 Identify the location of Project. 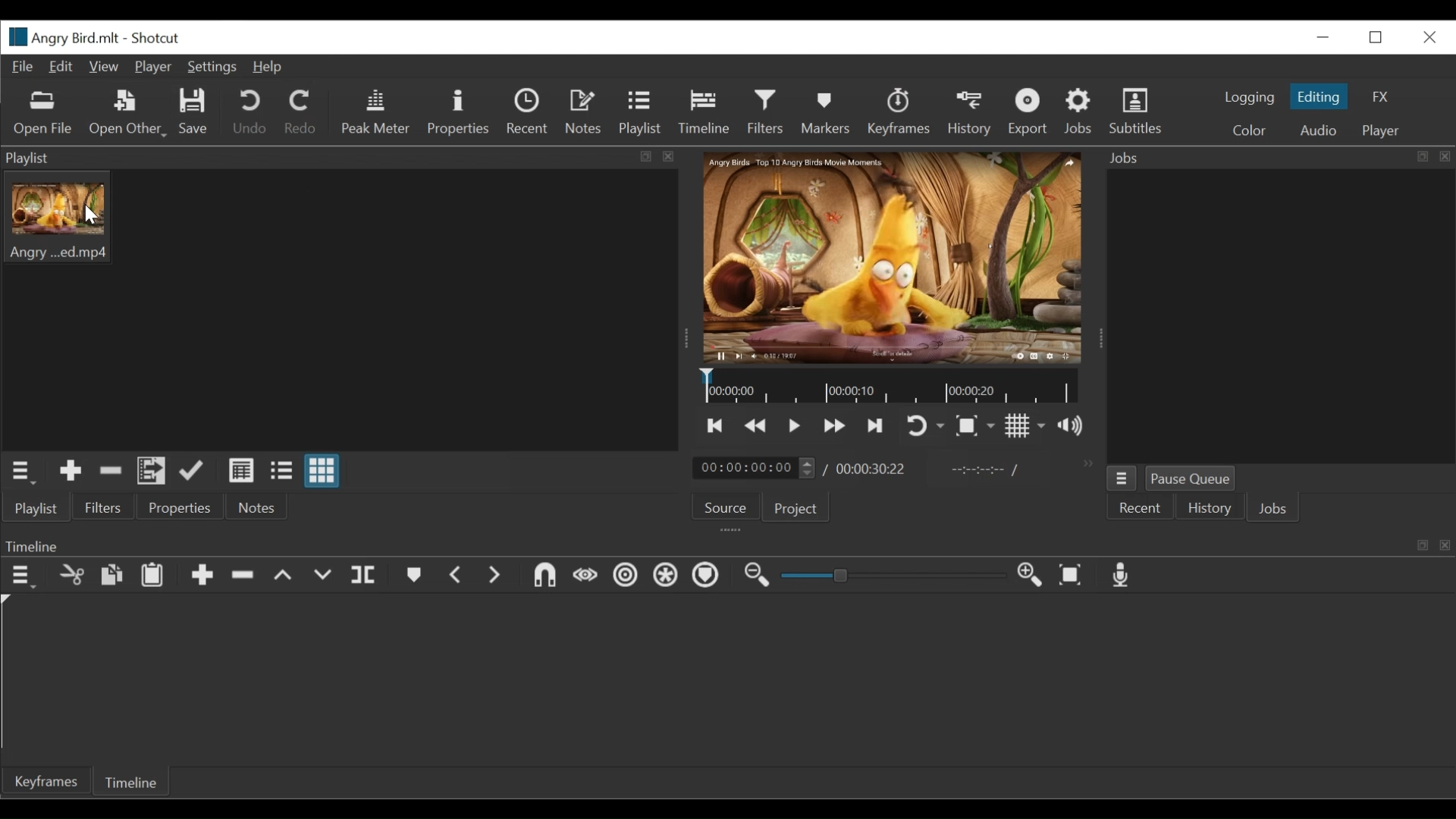
(799, 507).